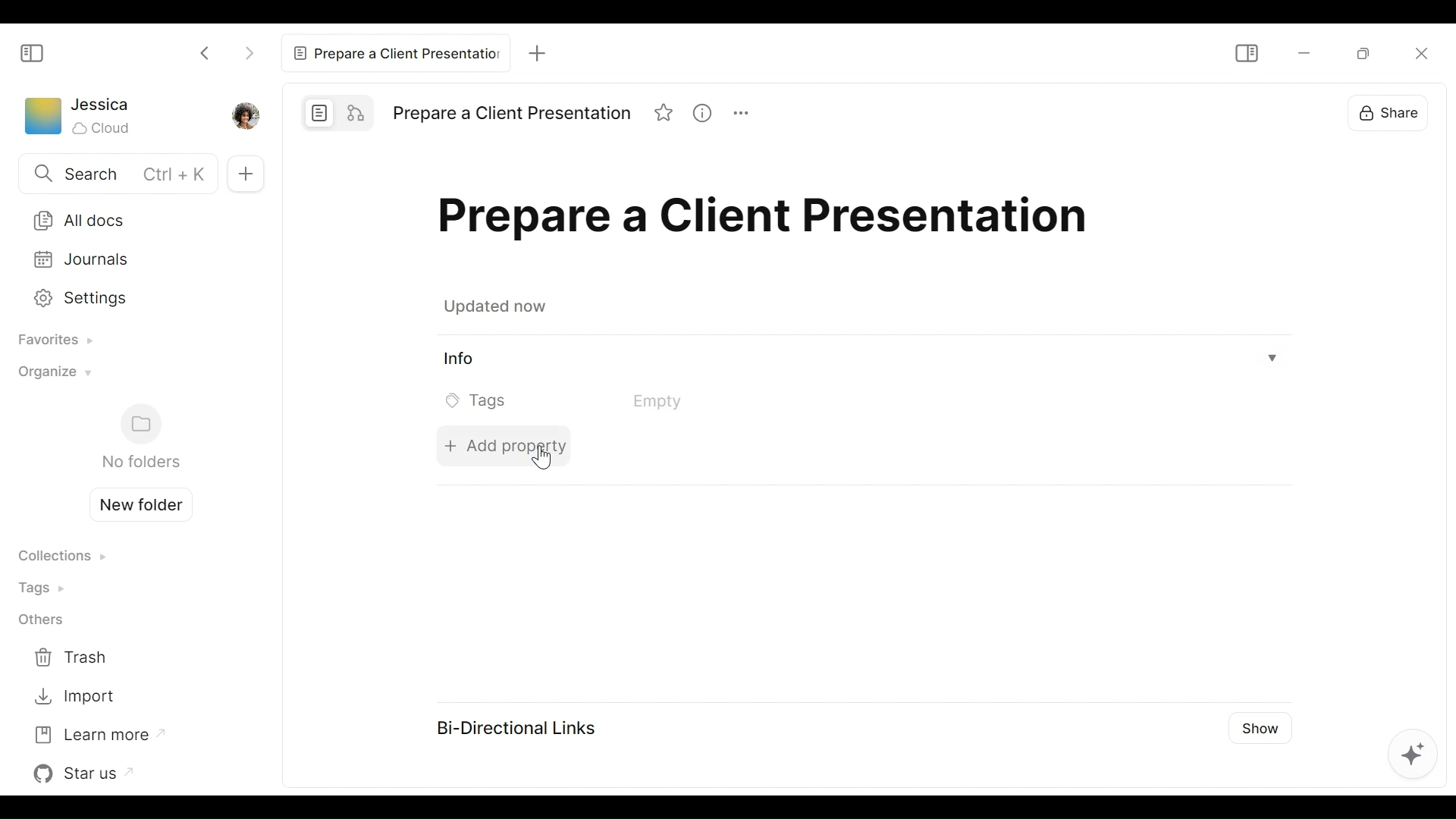 This screenshot has width=1456, height=819. I want to click on More, so click(748, 115).